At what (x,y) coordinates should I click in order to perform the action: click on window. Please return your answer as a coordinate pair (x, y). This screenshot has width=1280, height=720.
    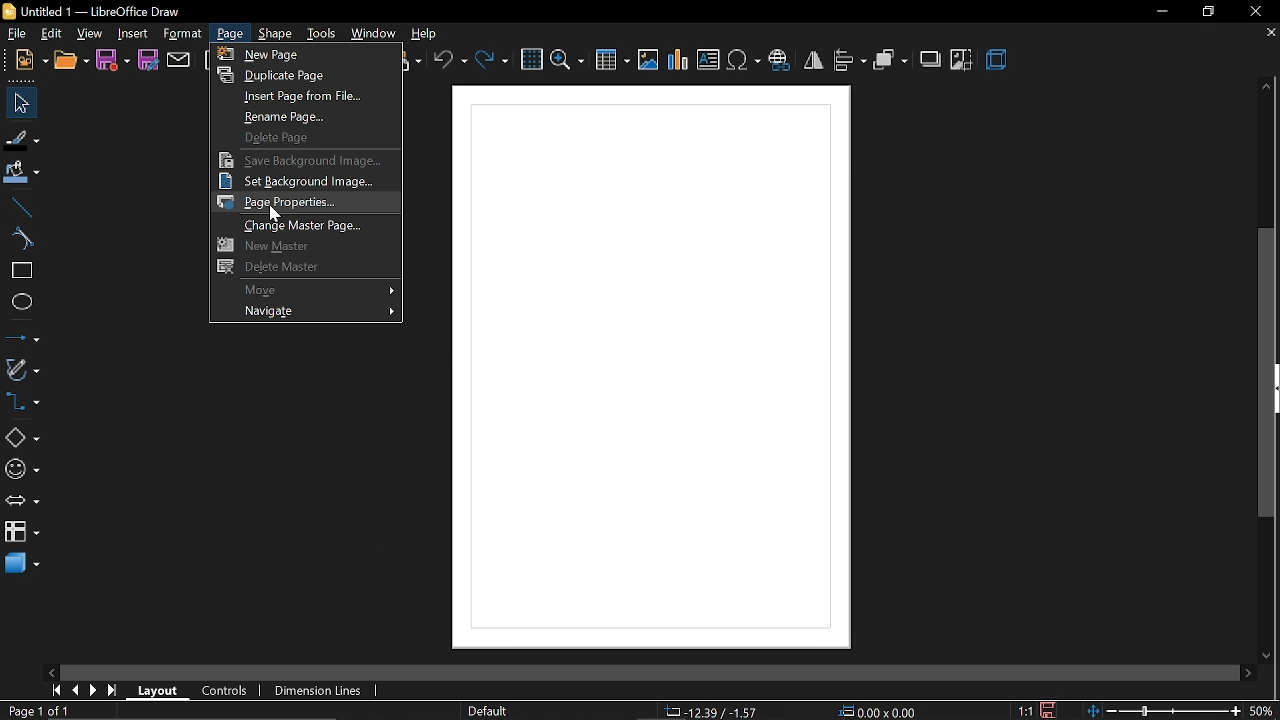
    Looking at the image, I should click on (372, 35).